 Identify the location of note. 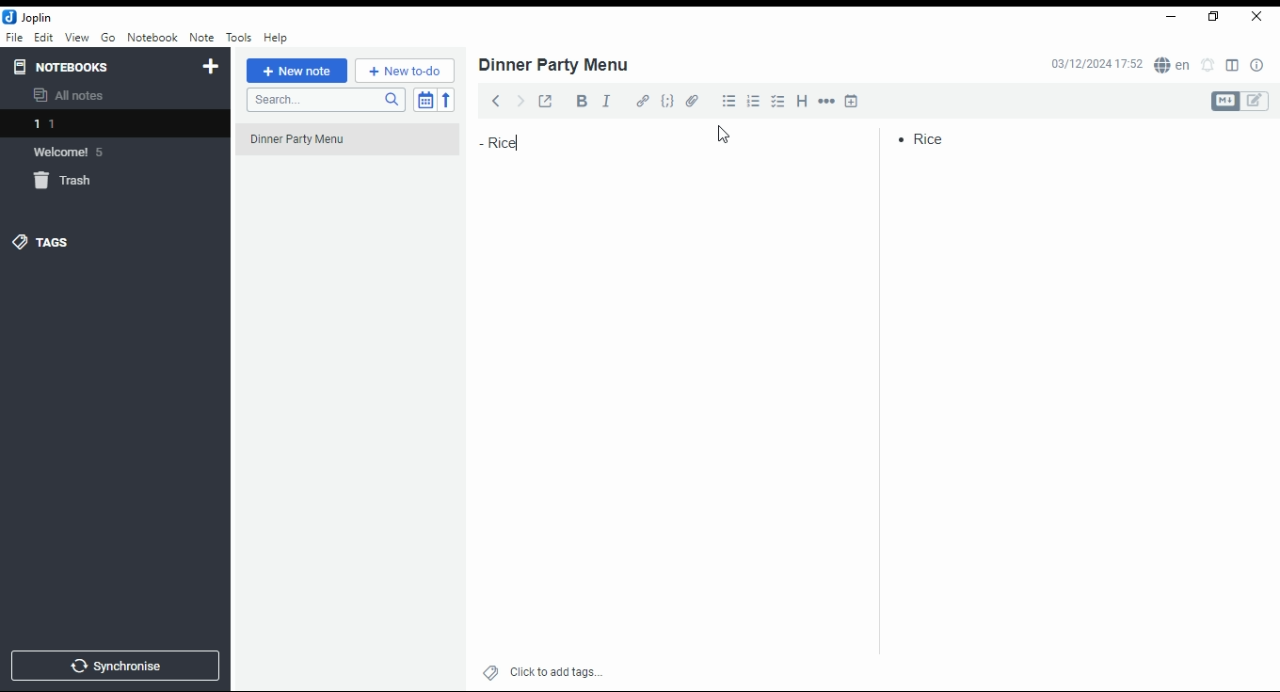
(200, 38).